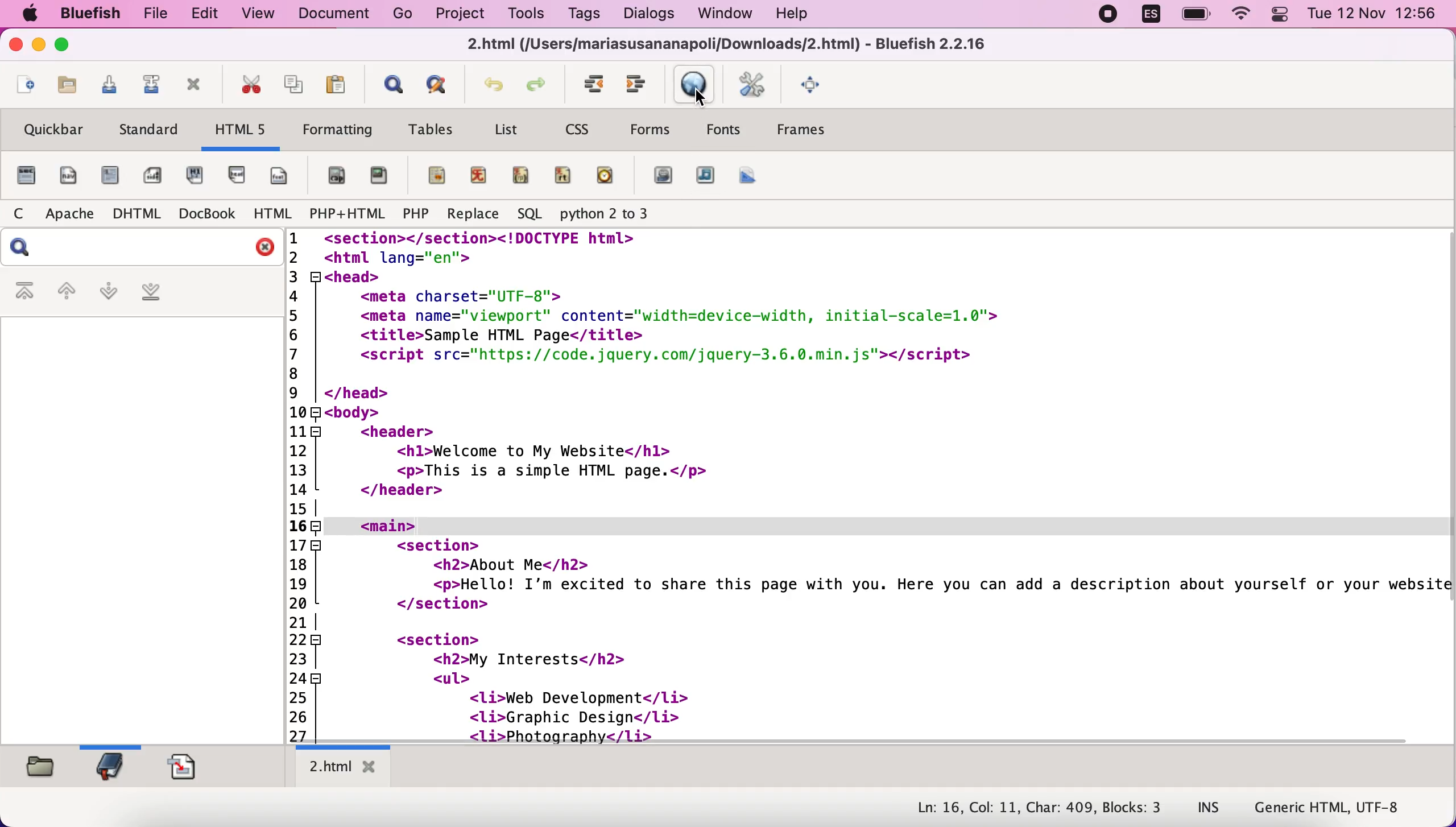 Image resolution: width=1456 pixels, height=827 pixels. Describe the element at coordinates (346, 215) in the screenshot. I see `php+html` at that location.